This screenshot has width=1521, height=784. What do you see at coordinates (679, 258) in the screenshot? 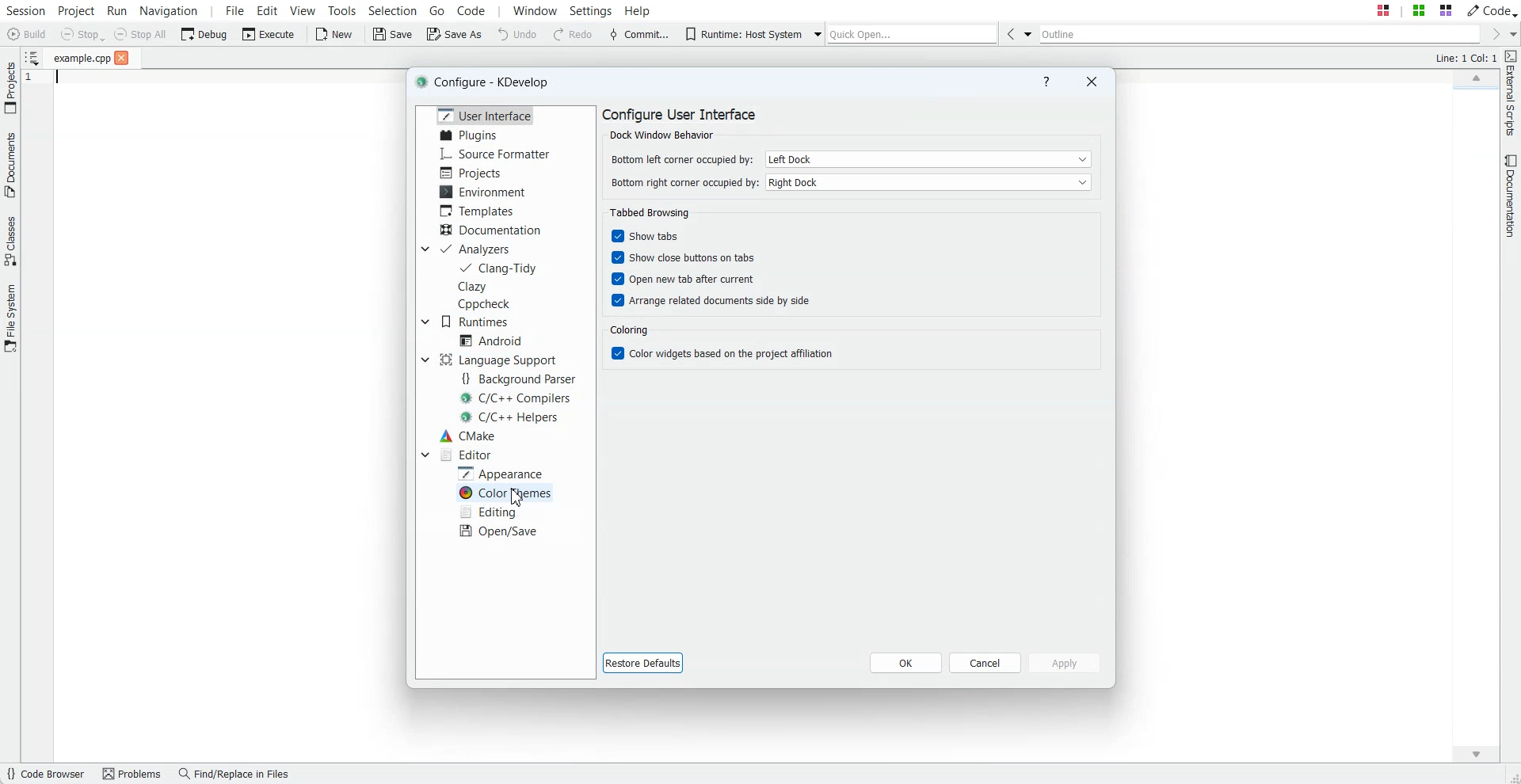
I see `Enable Show close button on tabs` at bounding box center [679, 258].